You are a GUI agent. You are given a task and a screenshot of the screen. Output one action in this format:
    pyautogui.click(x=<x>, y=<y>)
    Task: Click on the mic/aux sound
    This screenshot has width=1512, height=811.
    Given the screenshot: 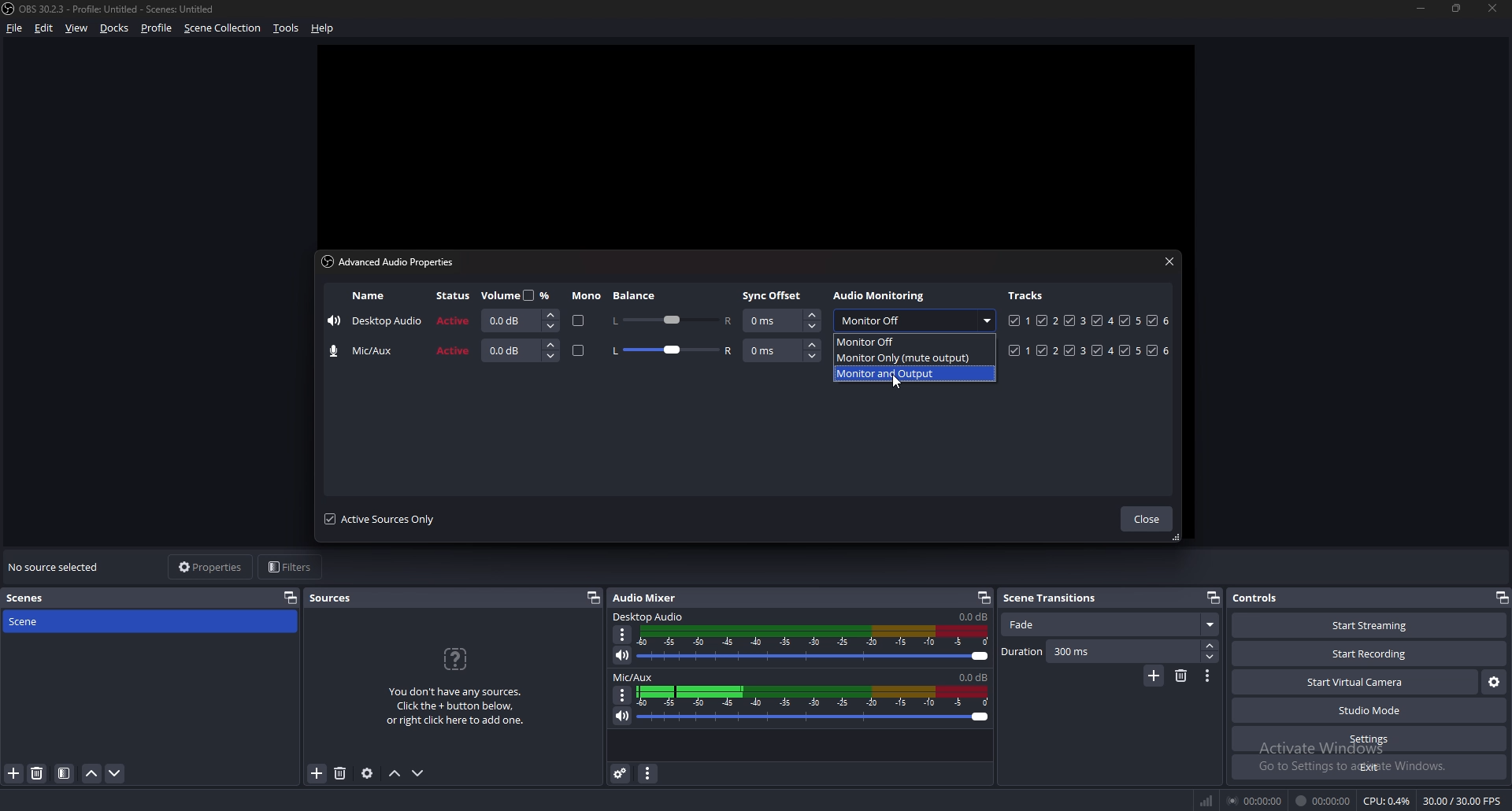 What is the action you would take?
    pyautogui.click(x=971, y=676)
    